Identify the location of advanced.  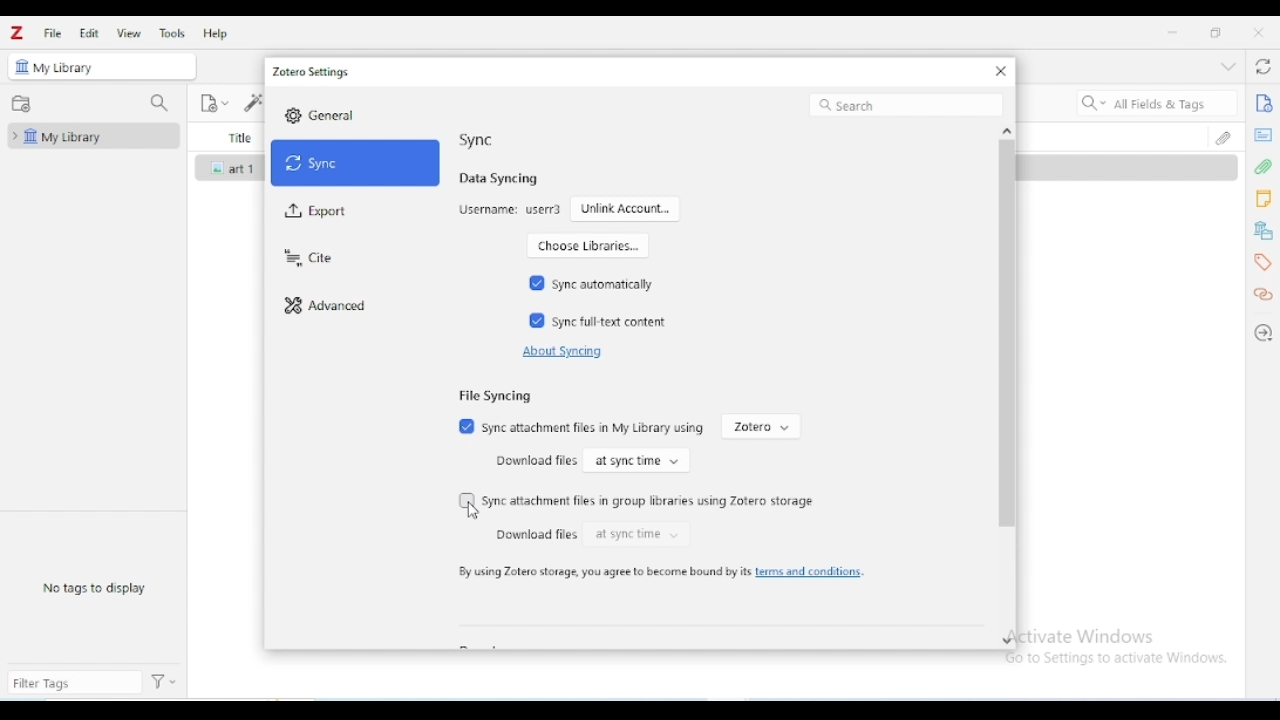
(326, 307).